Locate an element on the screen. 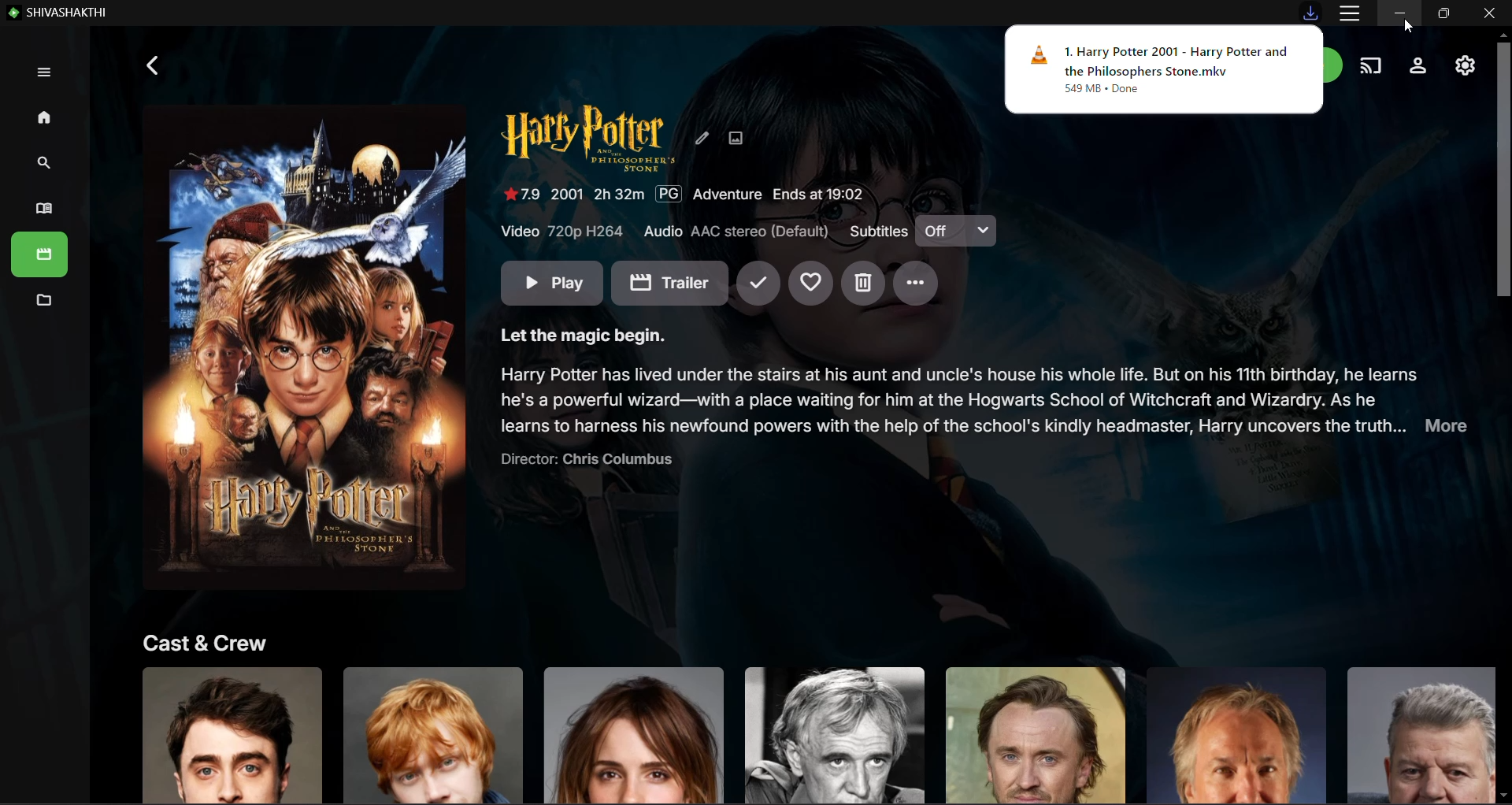  Movie Synopsis is located at coordinates (985, 398).